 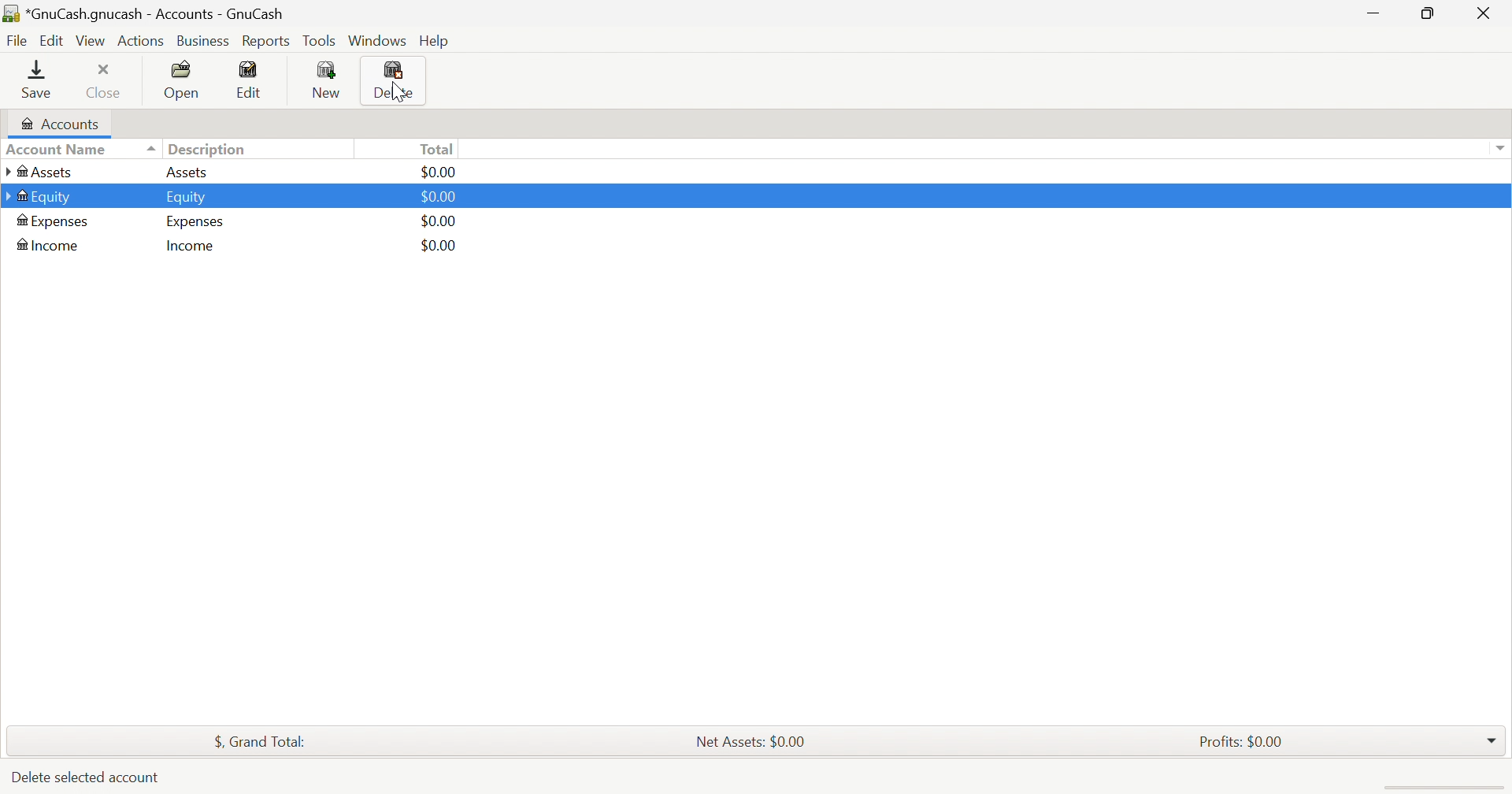 I want to click on $, Grand Total:, so click(x=258, y=741).